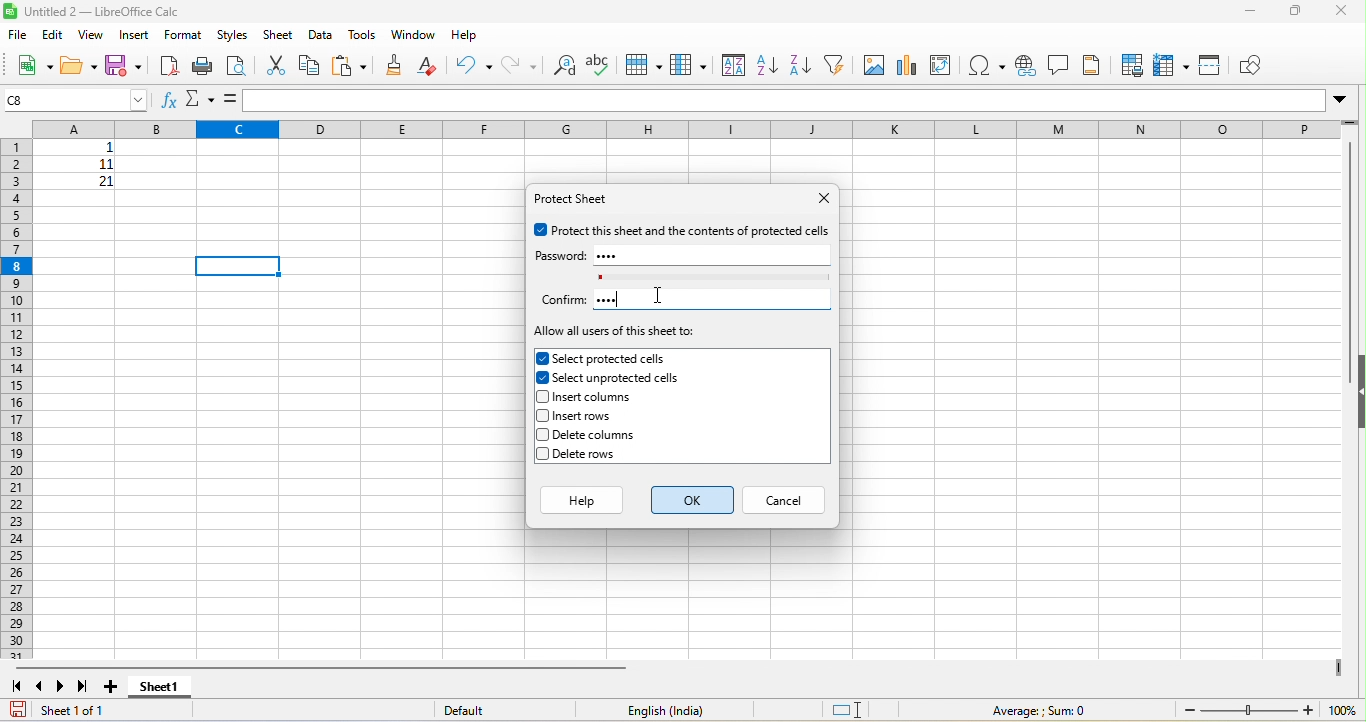  What do you see at coordinates (397, 65) in the screenshot?
I see `clone` at bounding box center [397, 65].